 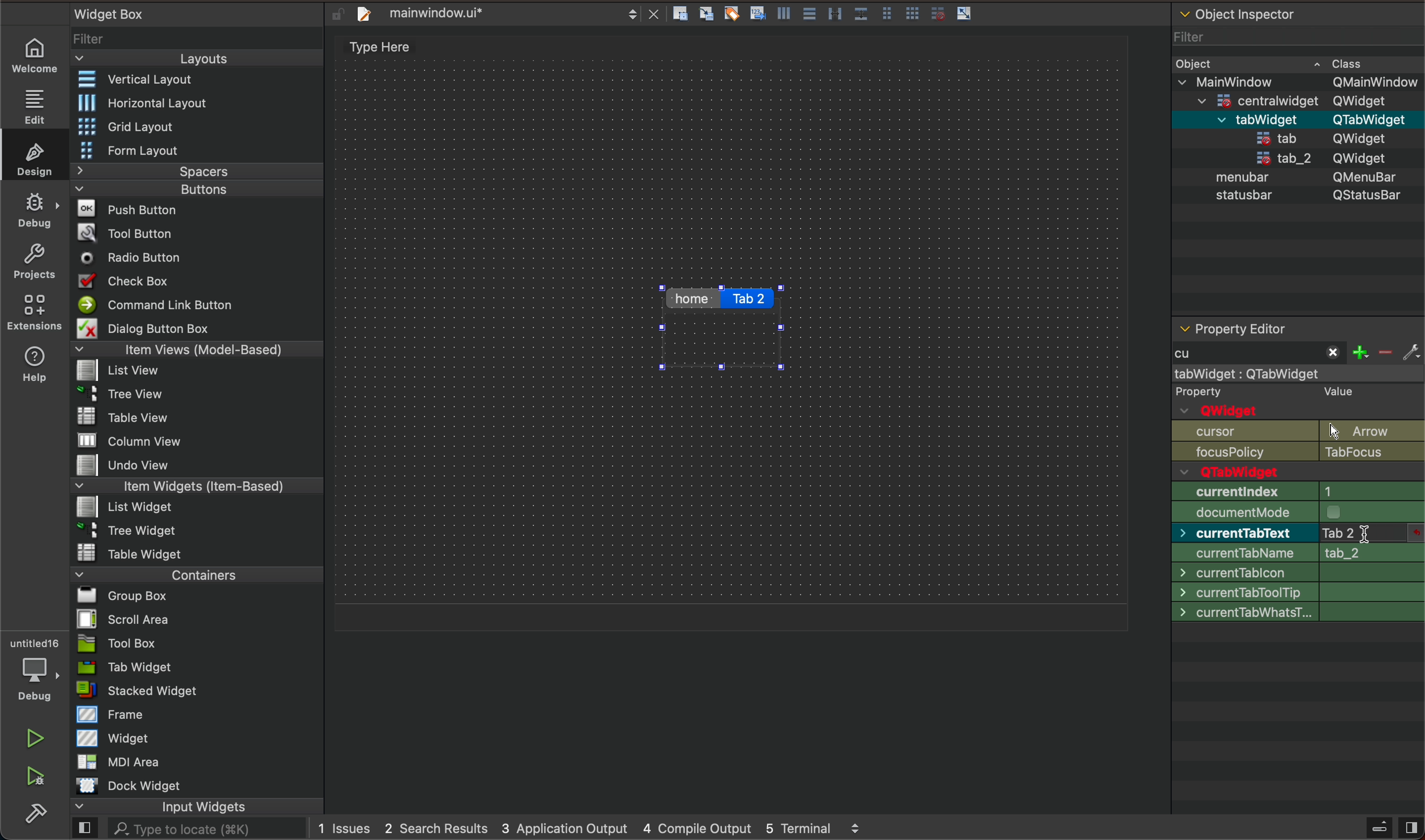 What do you see at coordinates (1299, 532) in the screenshot?
I see `min size` at bounding box center [1299, 532].